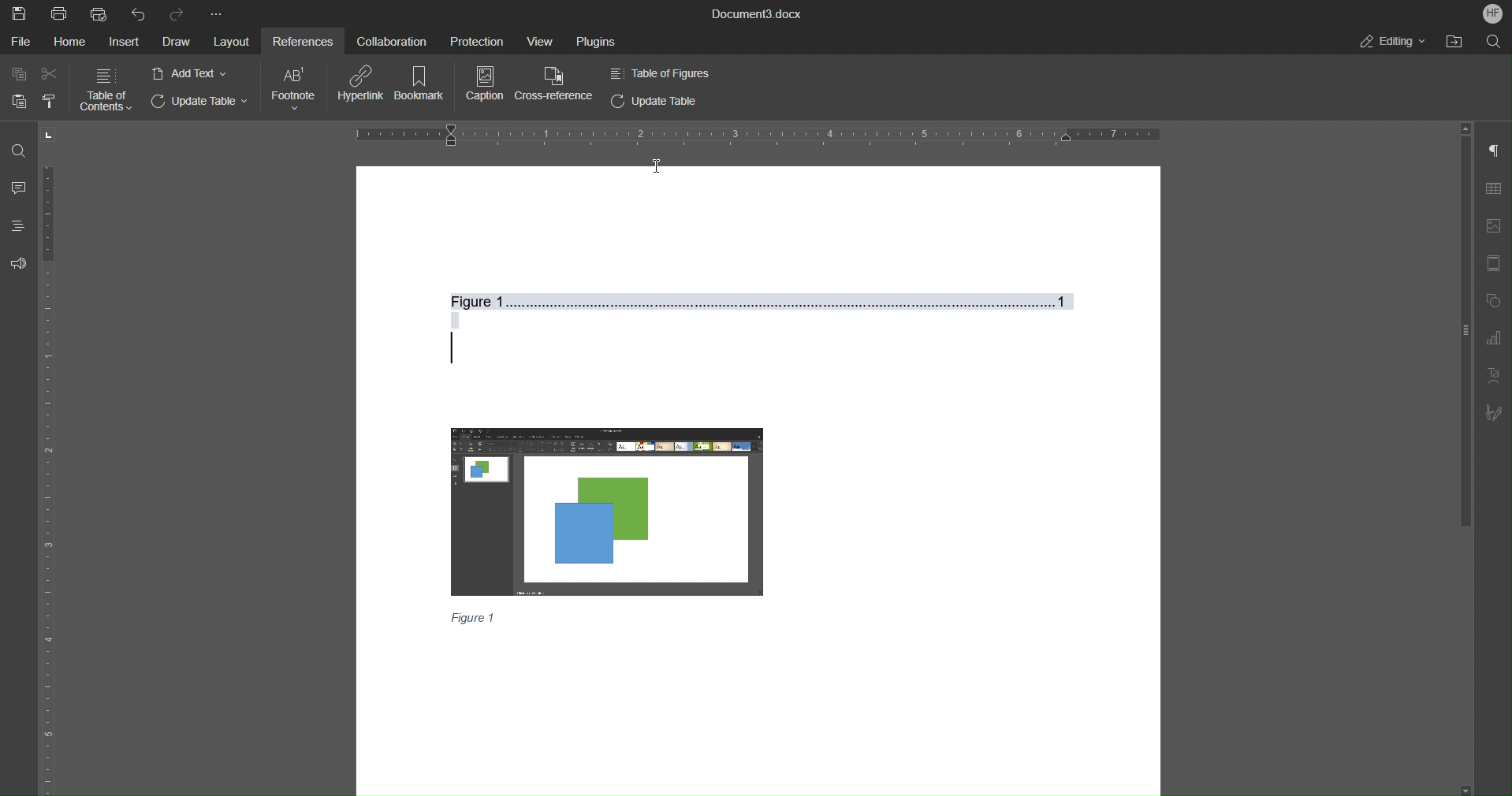 The height and width of the screenshot is (796, 1512). Describe the element at coordinates (50, 74) in the screenshot. I see `Cut` at that location.